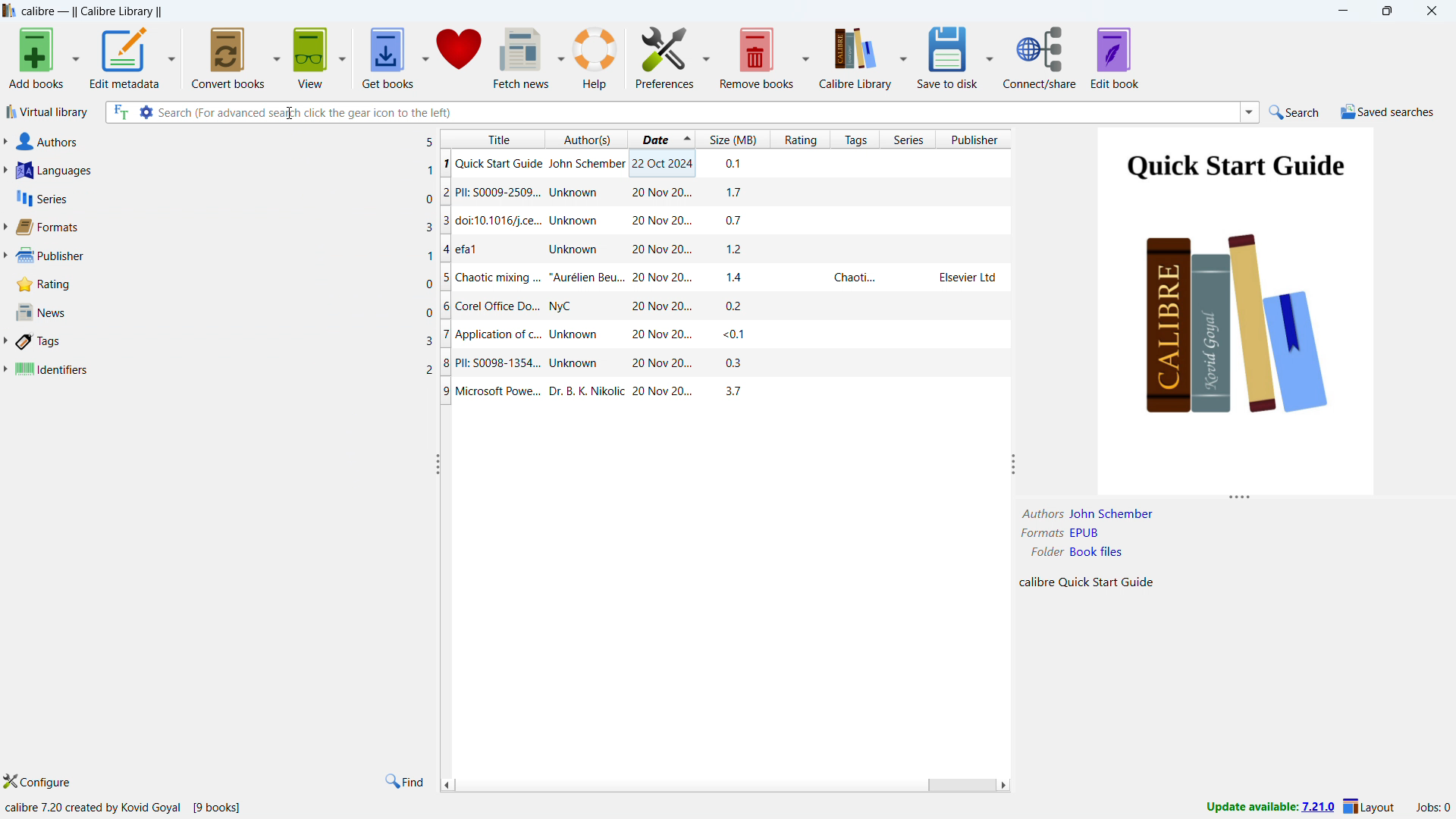  I want to click on doic 10.1016/j.ce.., so click(723, 224).